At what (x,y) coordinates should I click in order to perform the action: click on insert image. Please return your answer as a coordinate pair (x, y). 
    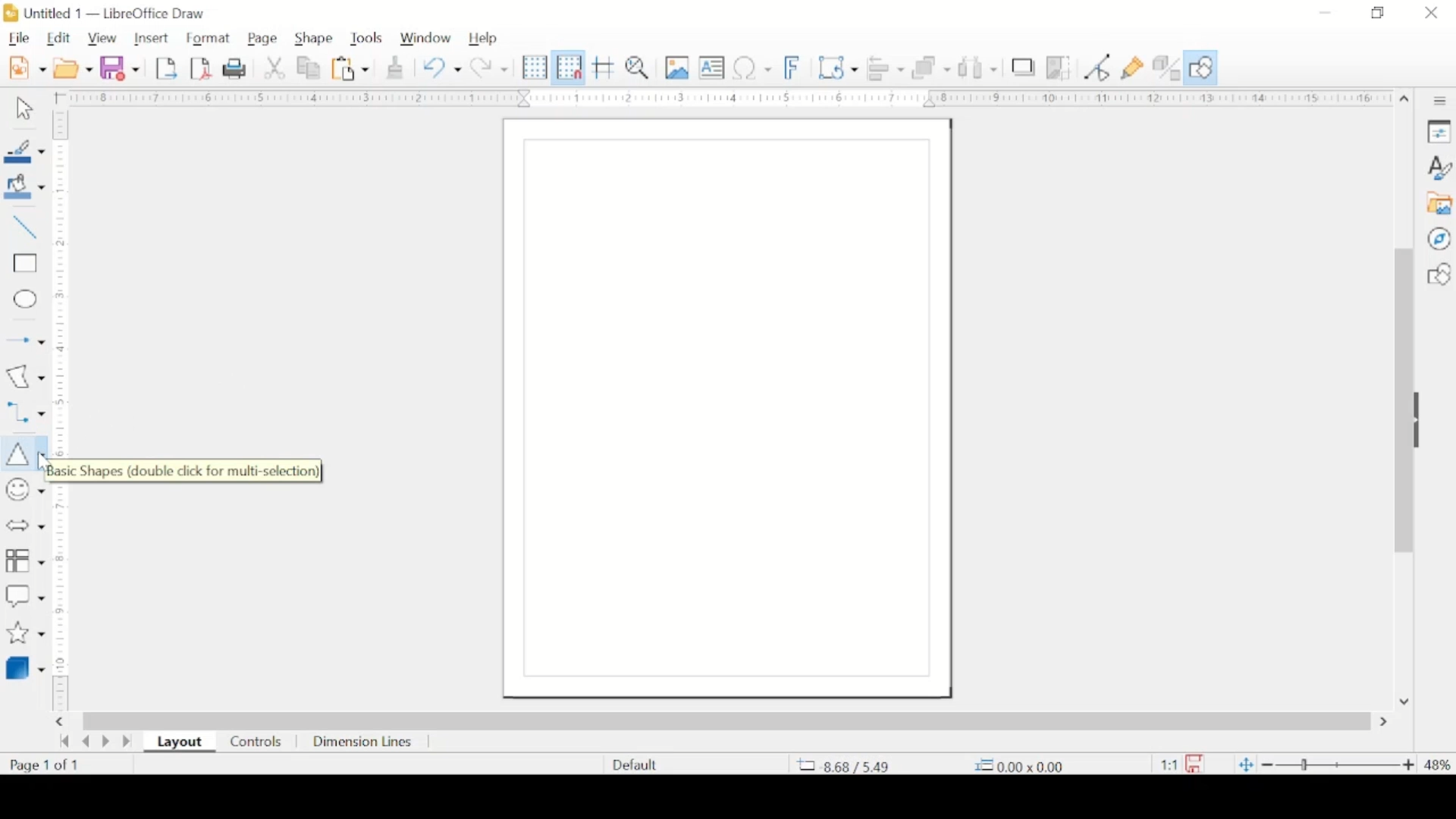
    Looking at the image, I should click on (678, 68).